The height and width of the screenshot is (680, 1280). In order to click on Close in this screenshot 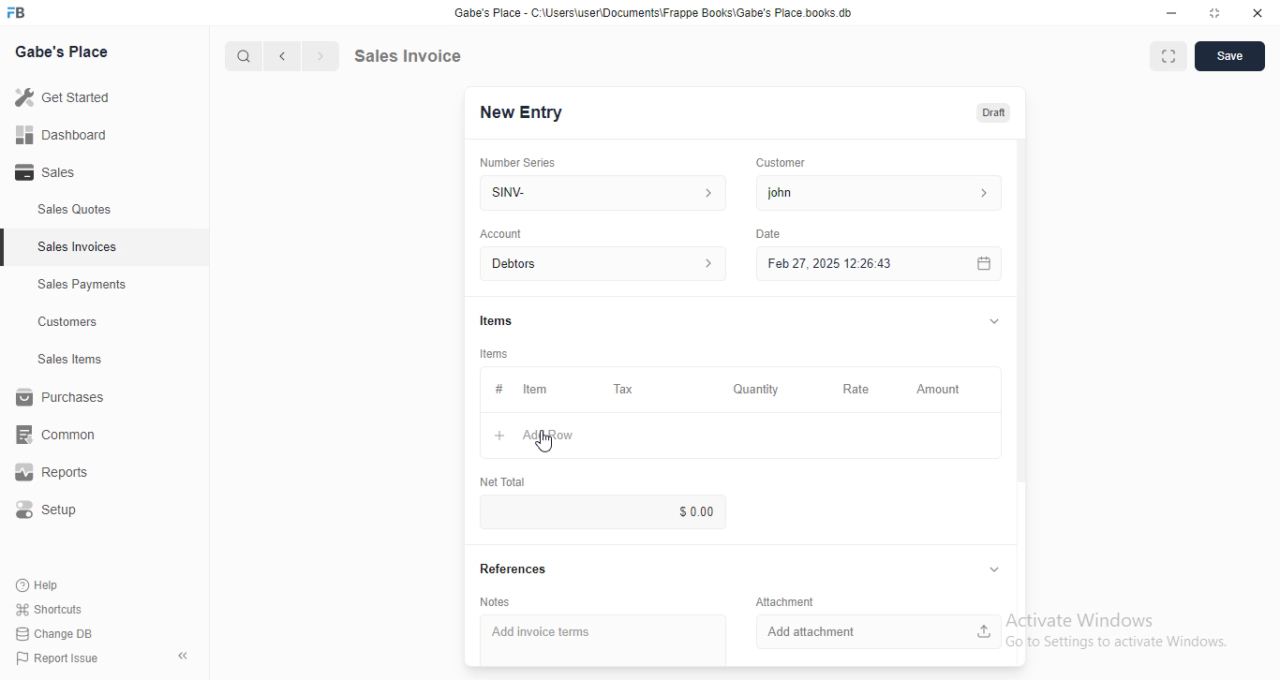, I will do `click(1257, 14)`.